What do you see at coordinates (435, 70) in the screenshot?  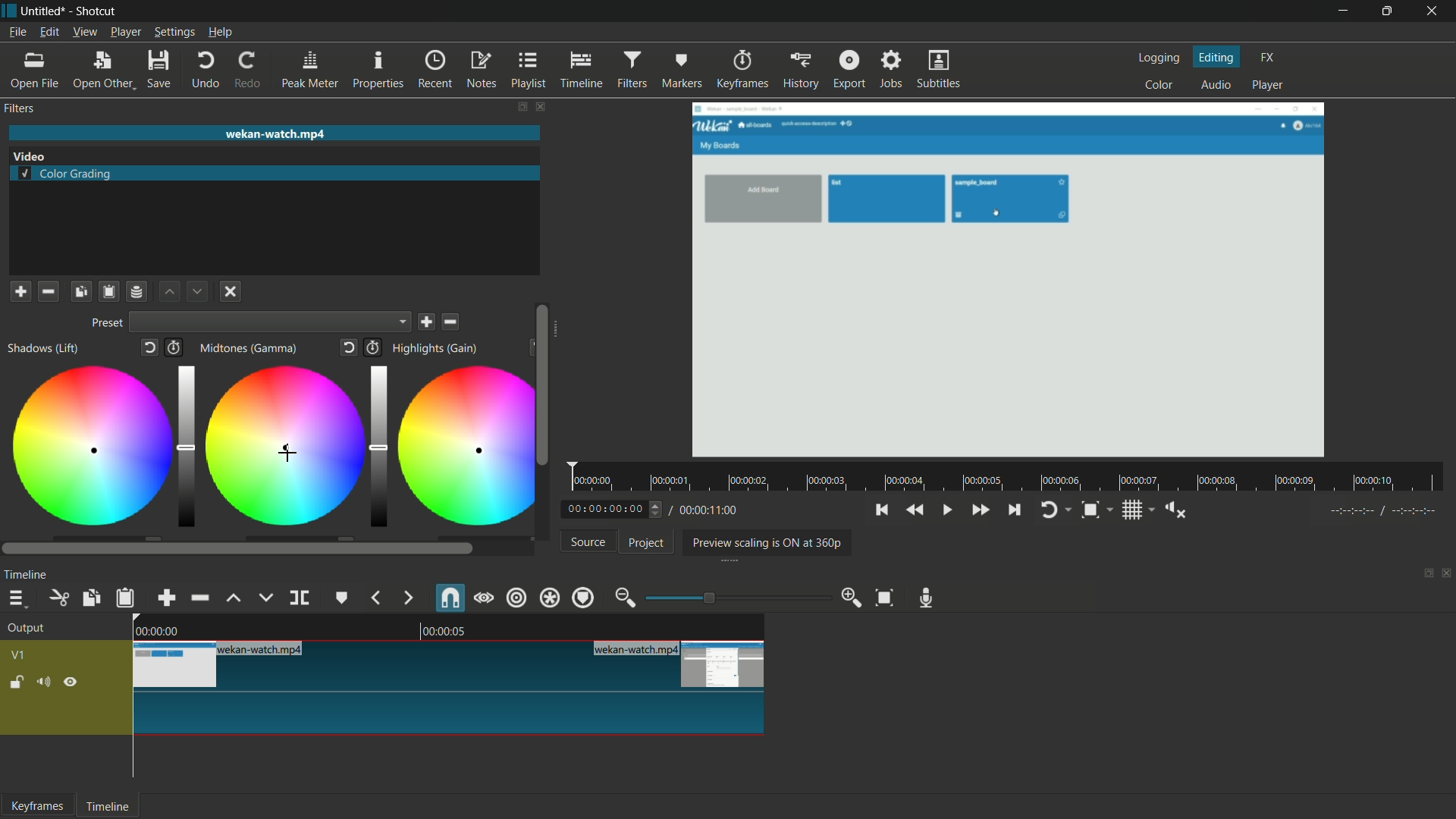 I see `recent` at bounding box center [435, 70].